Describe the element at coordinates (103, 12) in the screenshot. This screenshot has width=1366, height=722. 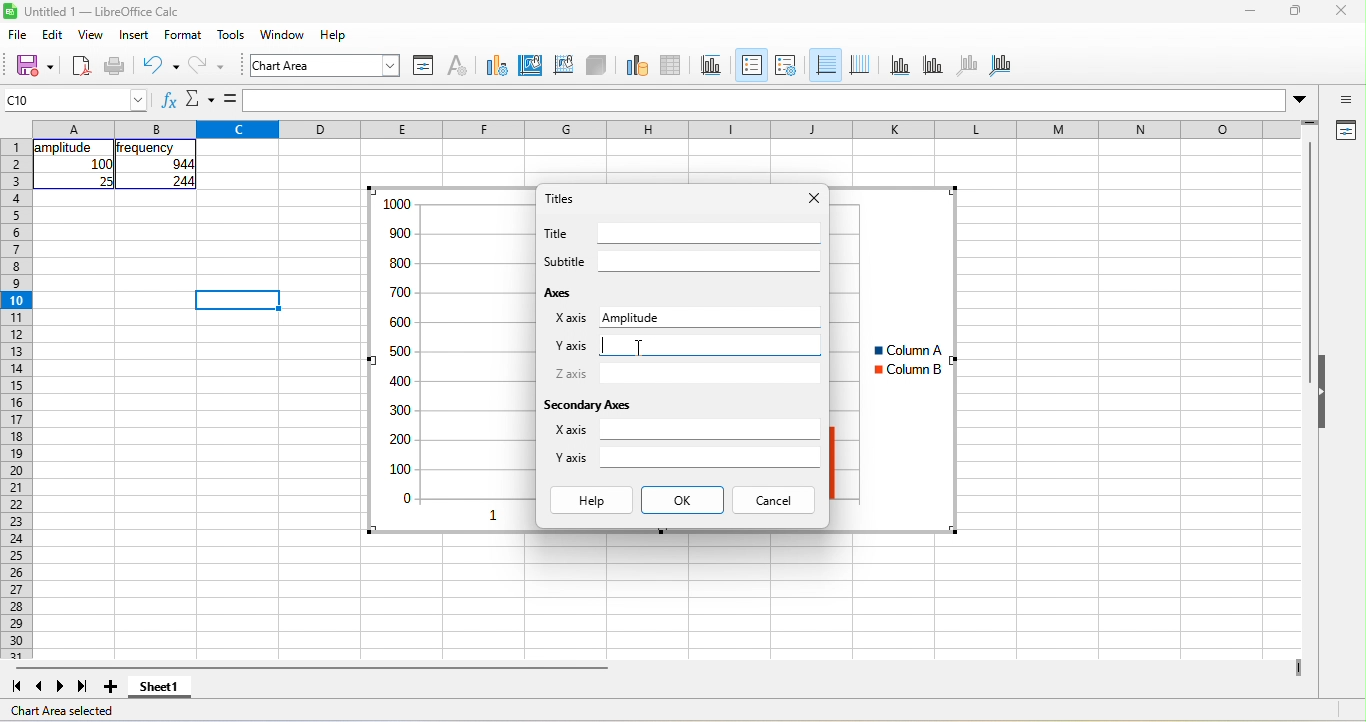
I see `Untitled 1 — LibreOffice Calc` at that location.